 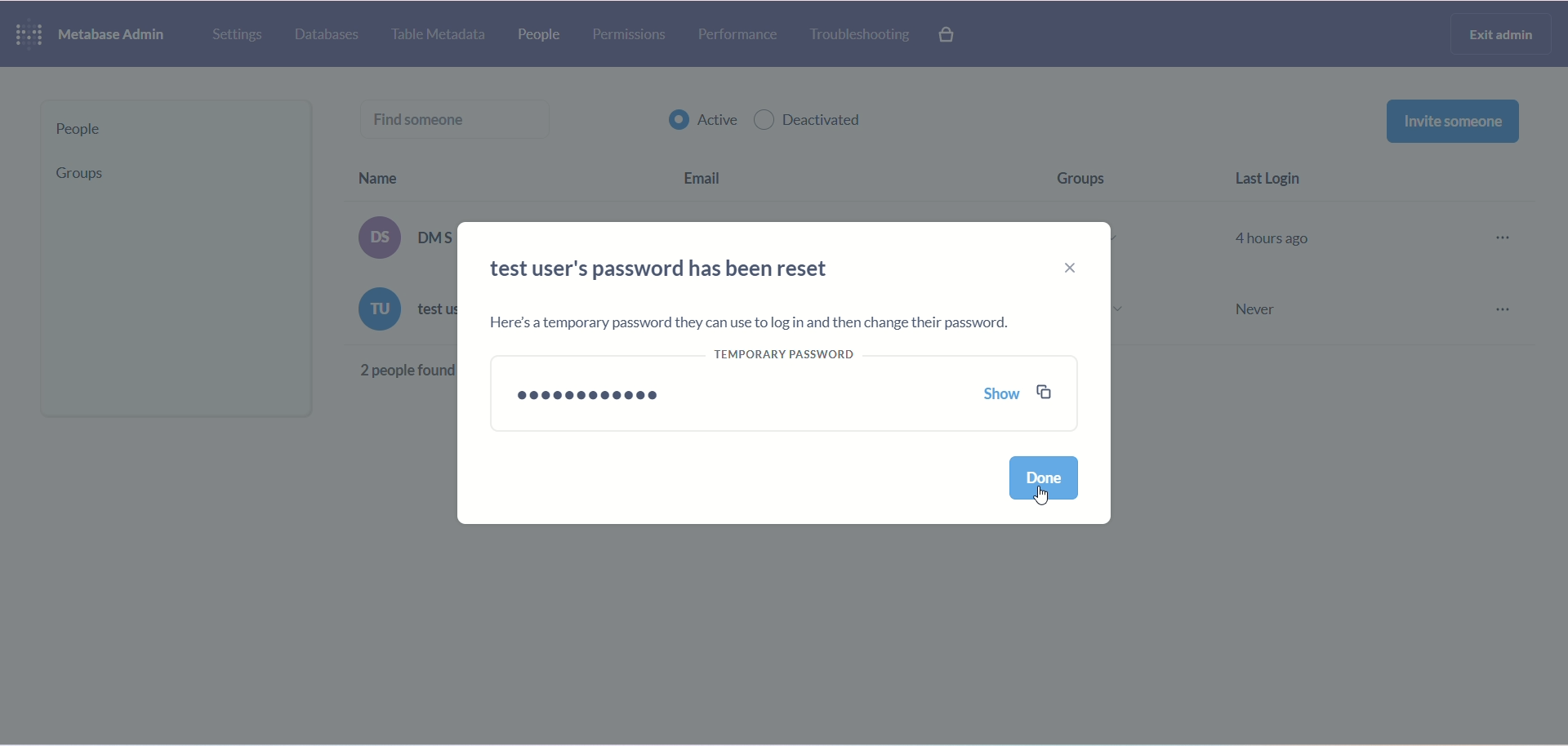 I want to click on name, so click(x=410, y=174).